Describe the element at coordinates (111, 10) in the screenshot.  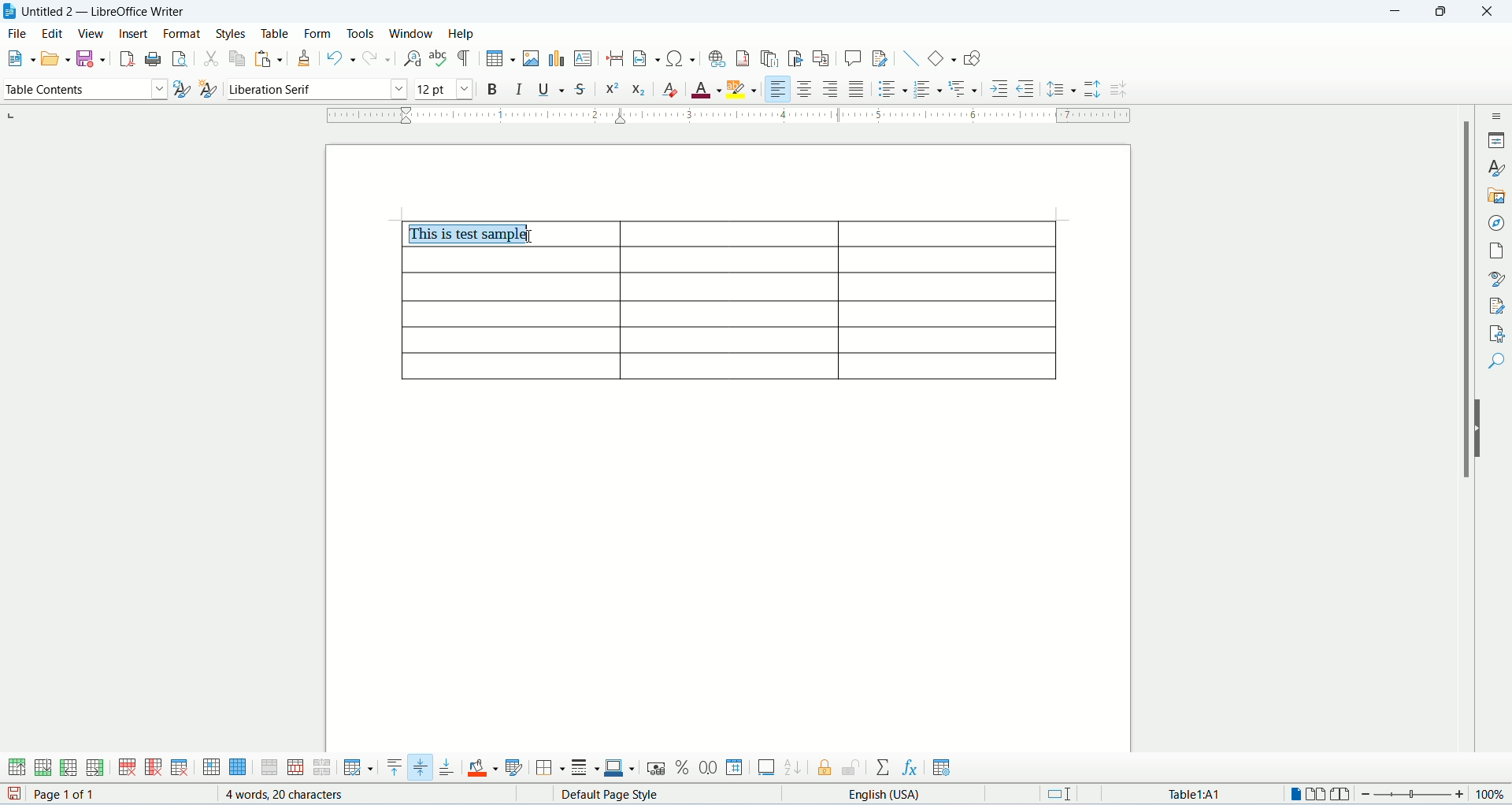
I see `document name` at that location.